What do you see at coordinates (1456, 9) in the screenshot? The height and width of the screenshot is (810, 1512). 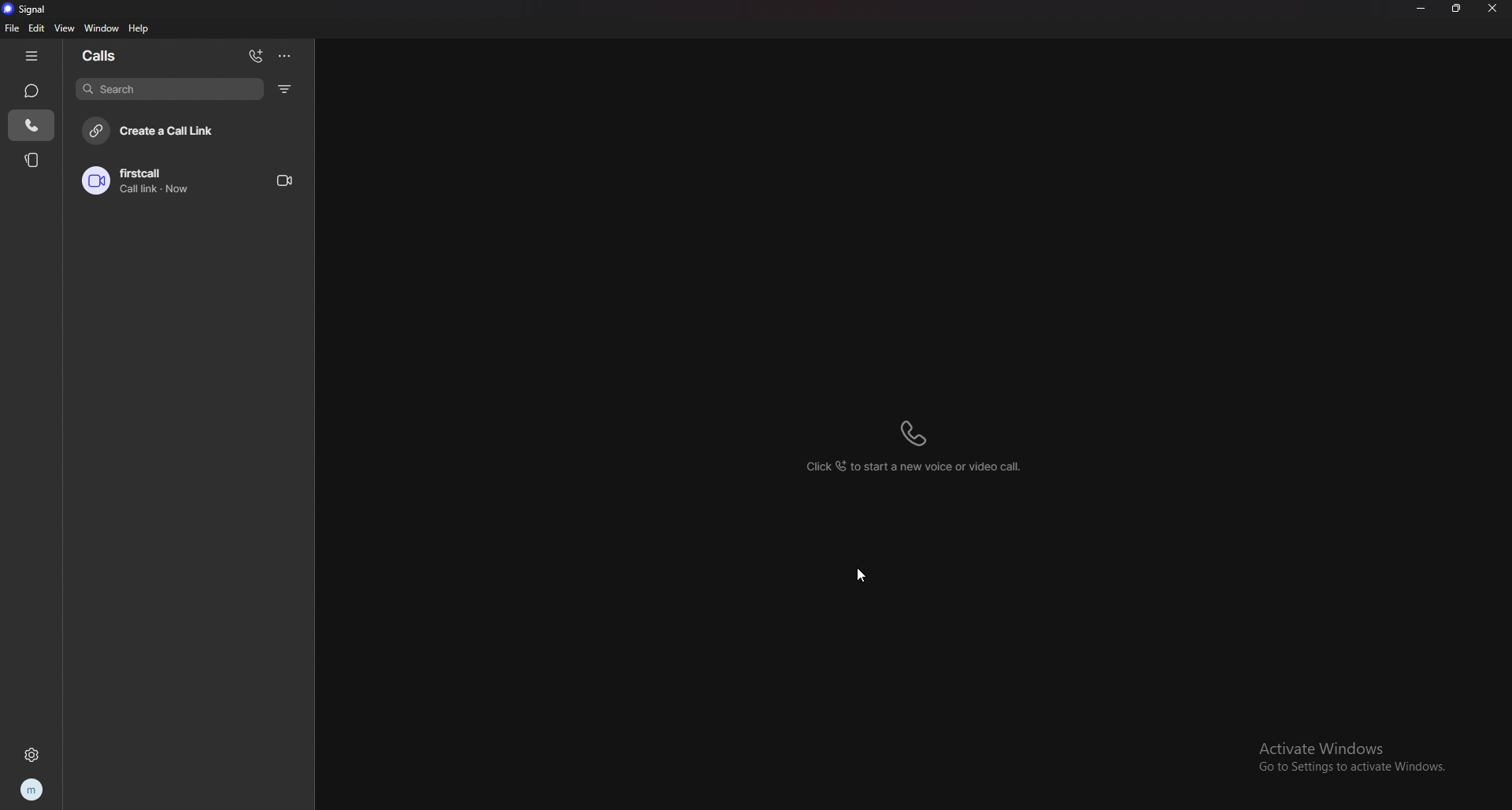 I see `resize` at bounding box center [1456, 9].